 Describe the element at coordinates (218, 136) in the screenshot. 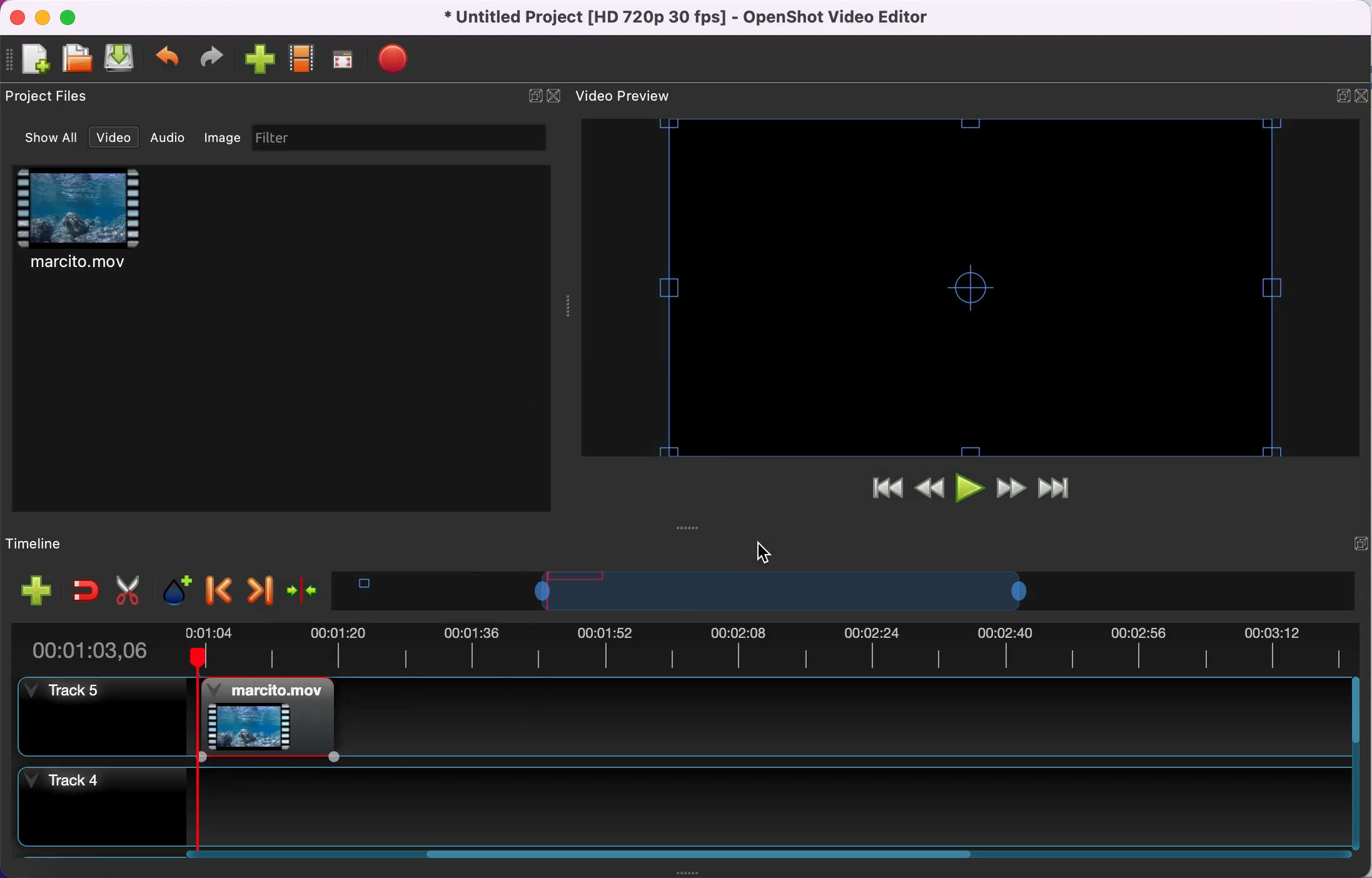

I see `image` at that location.